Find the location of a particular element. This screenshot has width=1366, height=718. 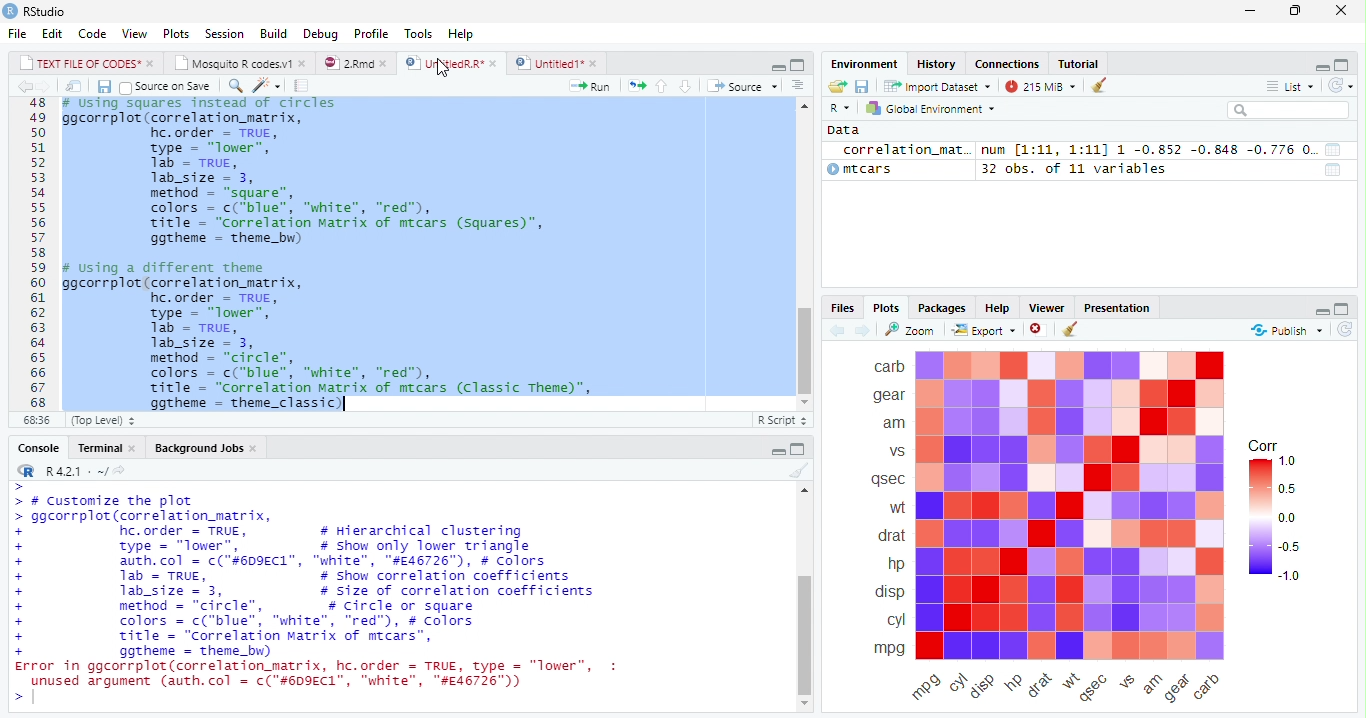

value of matrix is located at coordinates (1337, 169).